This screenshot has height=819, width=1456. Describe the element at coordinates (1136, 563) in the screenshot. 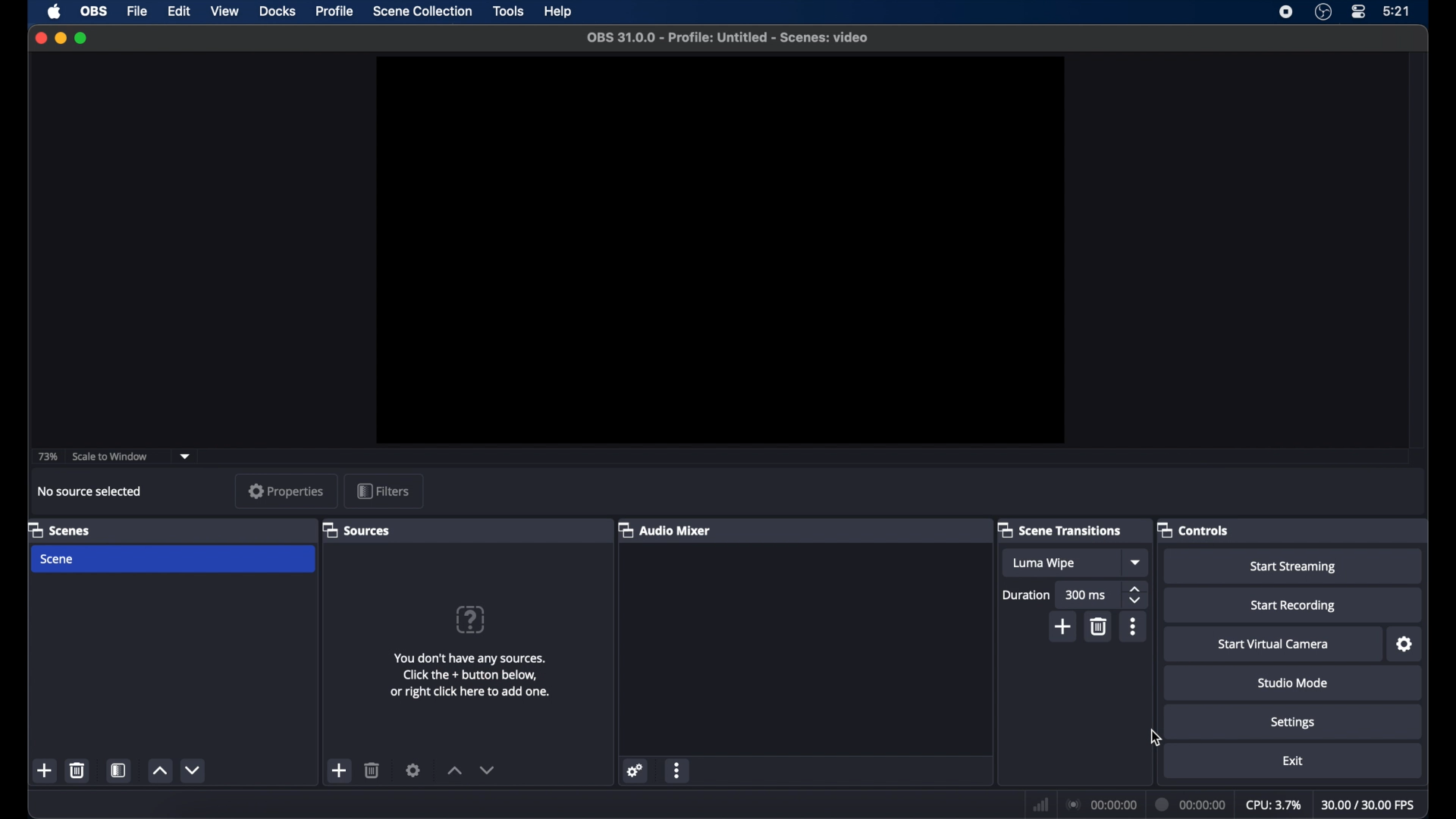

I see `dropdown` at that location.